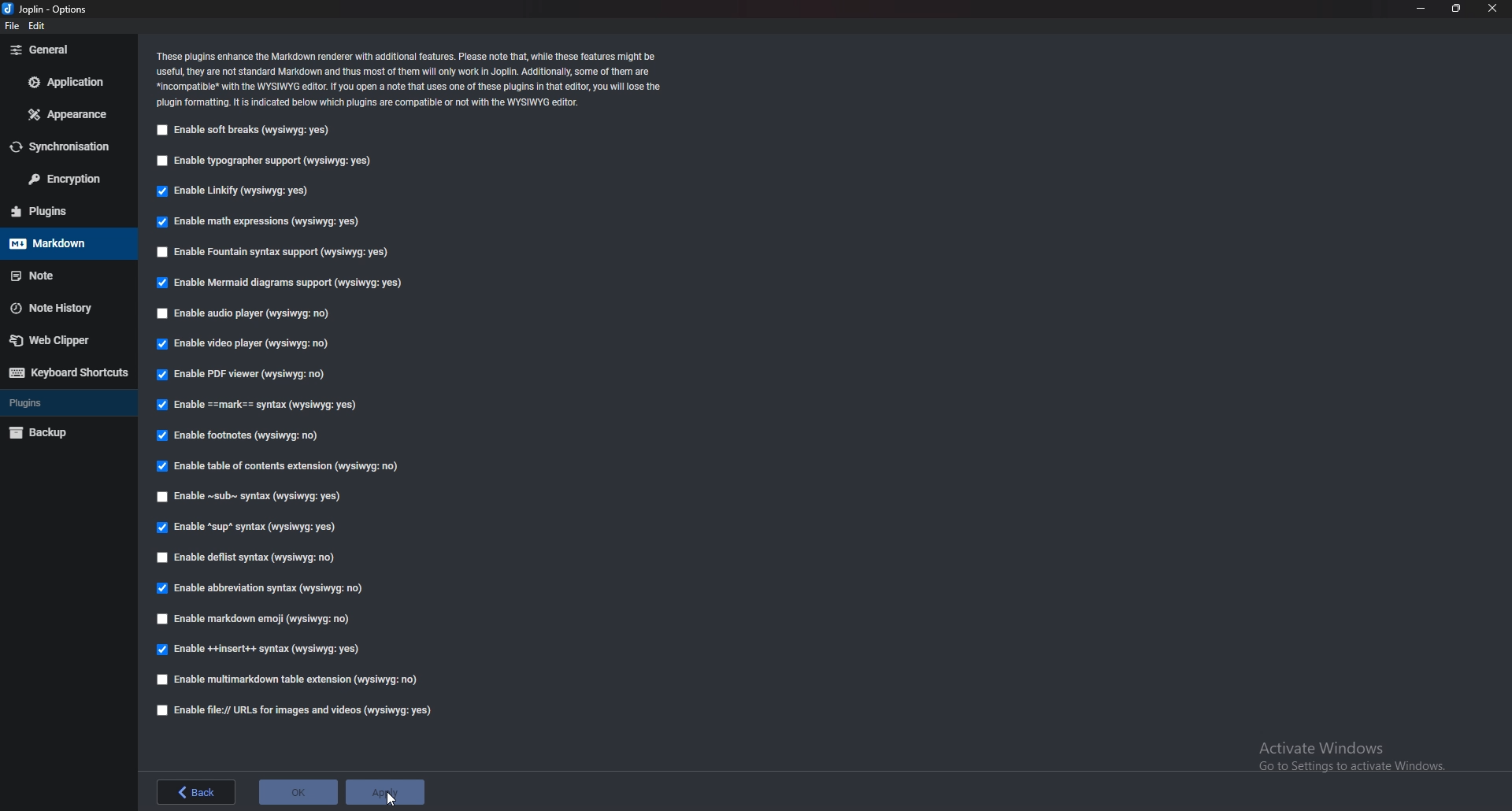 Image resolution: width=1512 pixels, height=811 pixels. Describe the element at coordinates (62, 434) in the screenshot. I see `Backup` at that location.